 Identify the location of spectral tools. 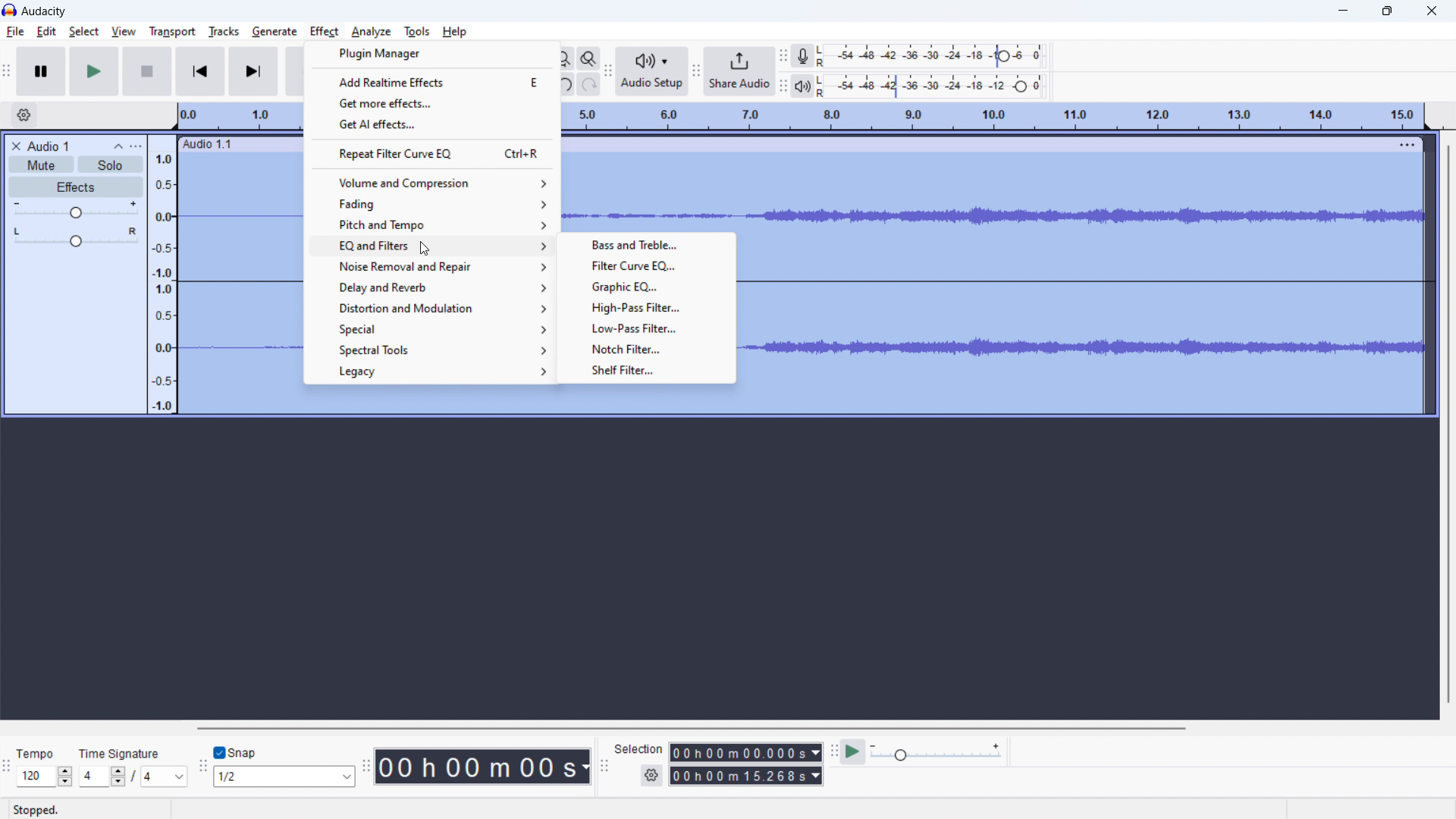
(429, 350).